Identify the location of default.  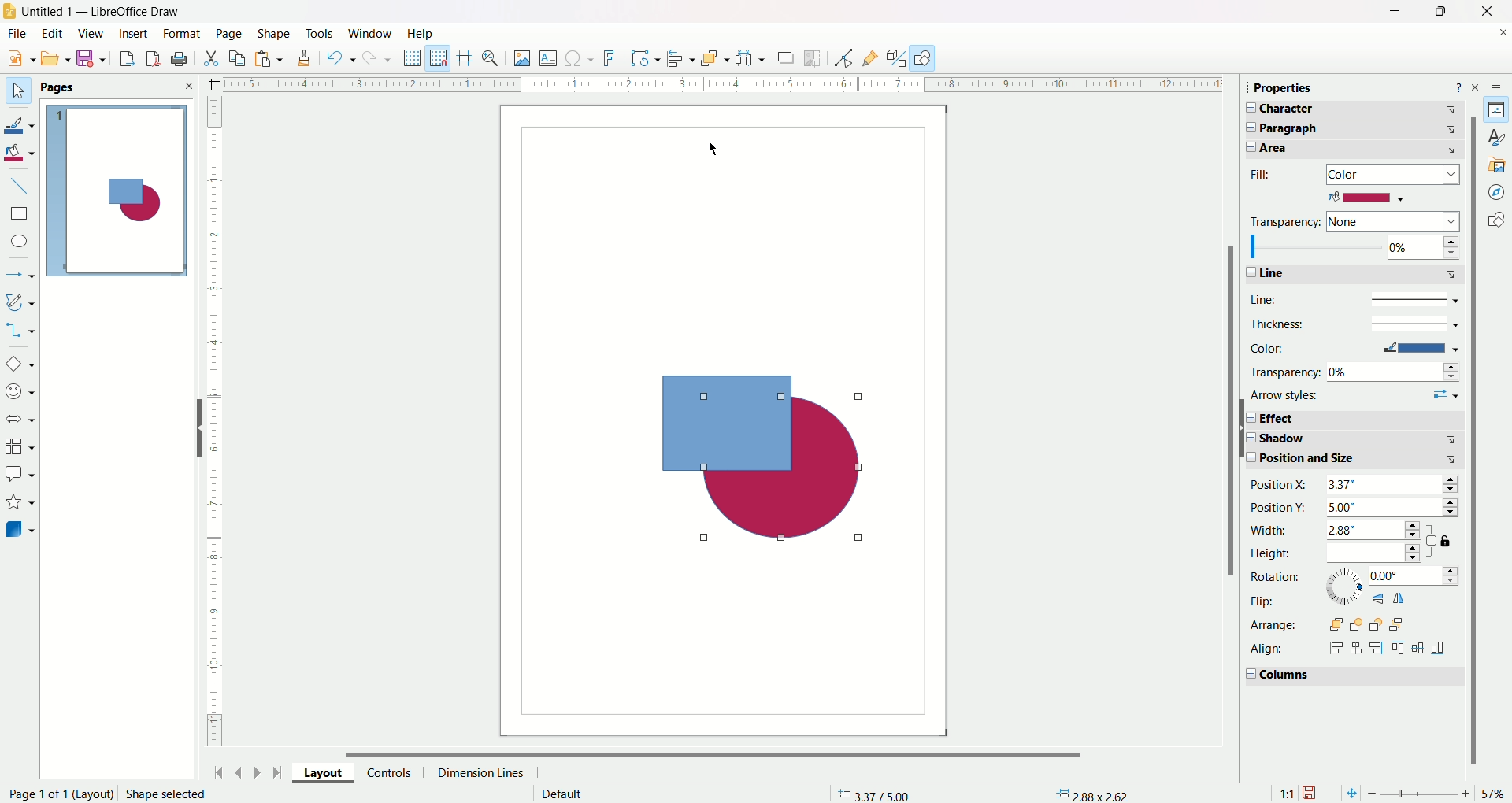
(557, 794).